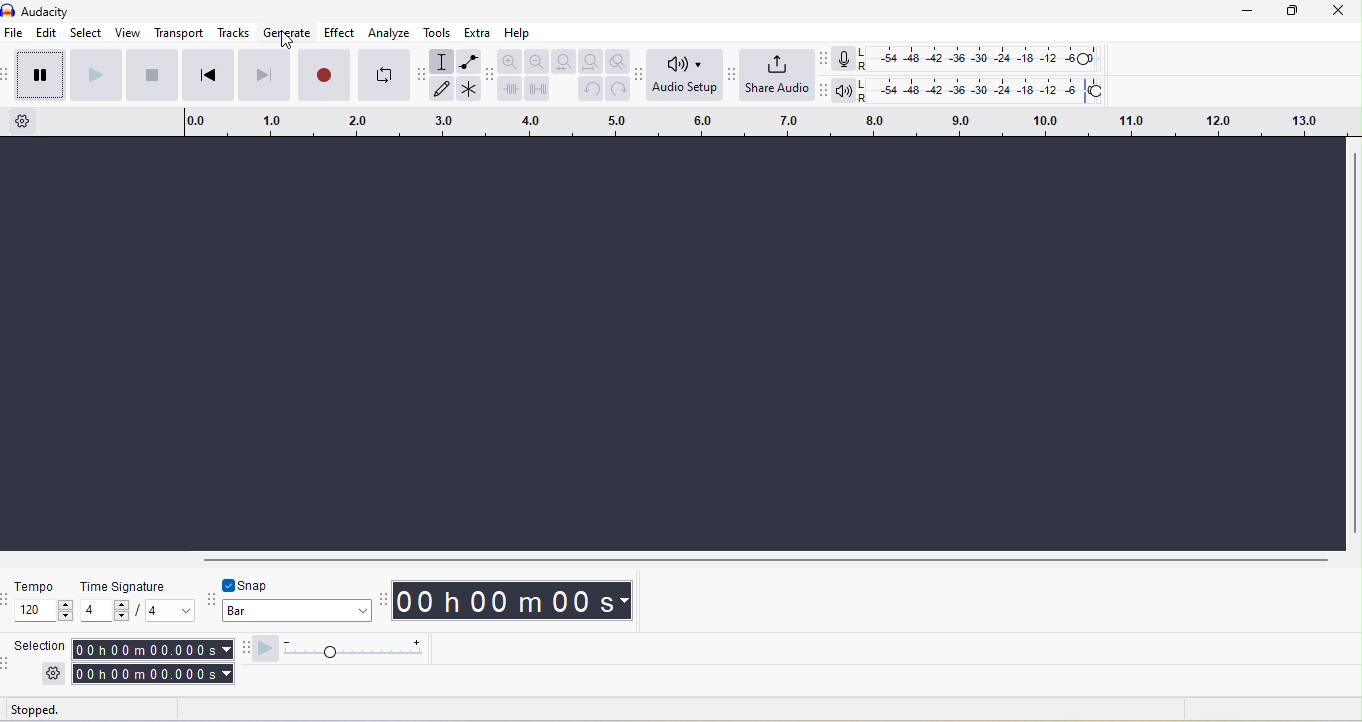 The image size is (1362, 722). Describe the element at coordinates (16, 34) in the screenshot. I see `file` at that location.